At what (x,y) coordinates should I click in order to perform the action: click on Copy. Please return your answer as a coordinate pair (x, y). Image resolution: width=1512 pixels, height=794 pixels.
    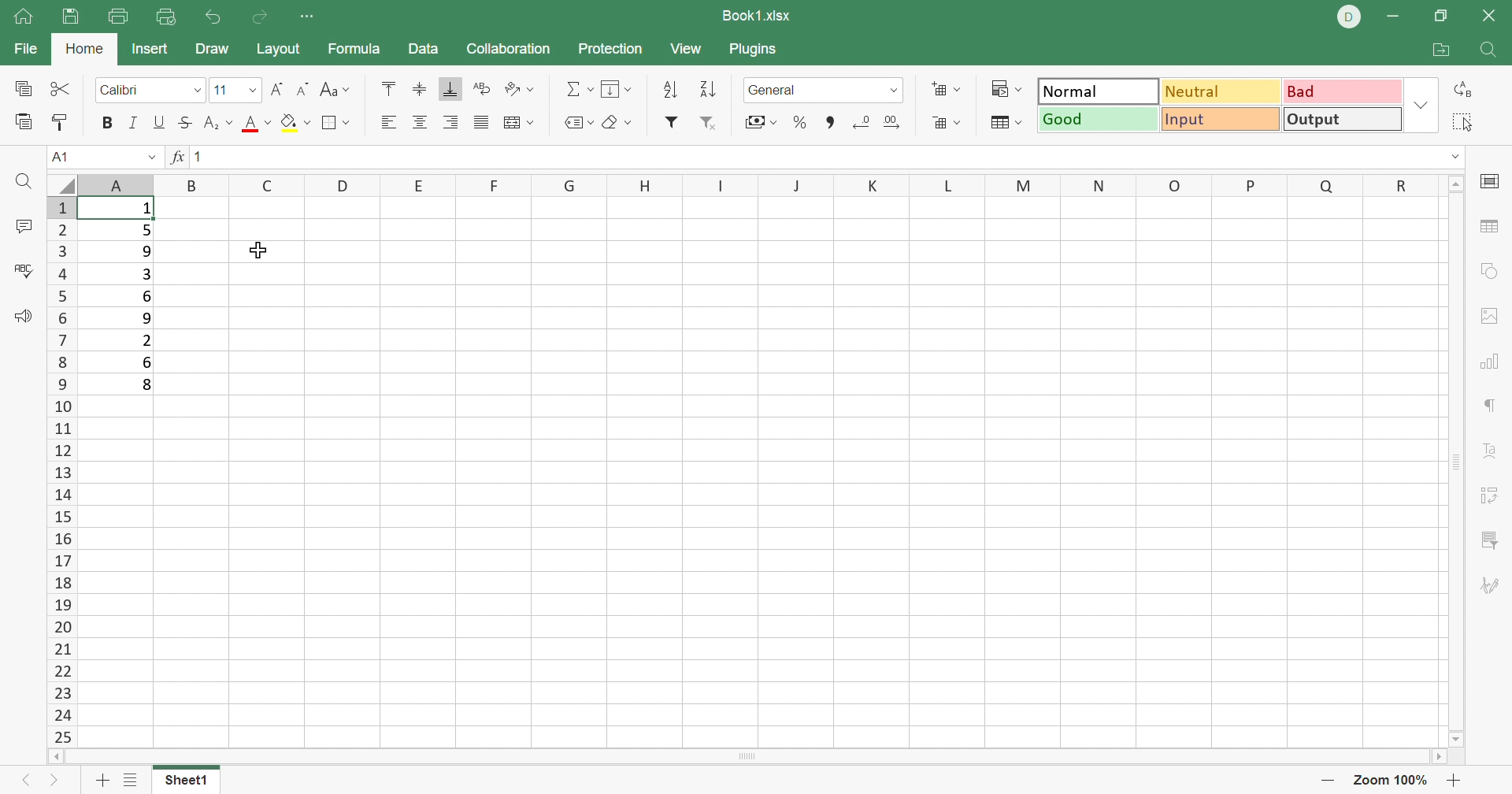
    Looking at the image, I should click on (22, 86).